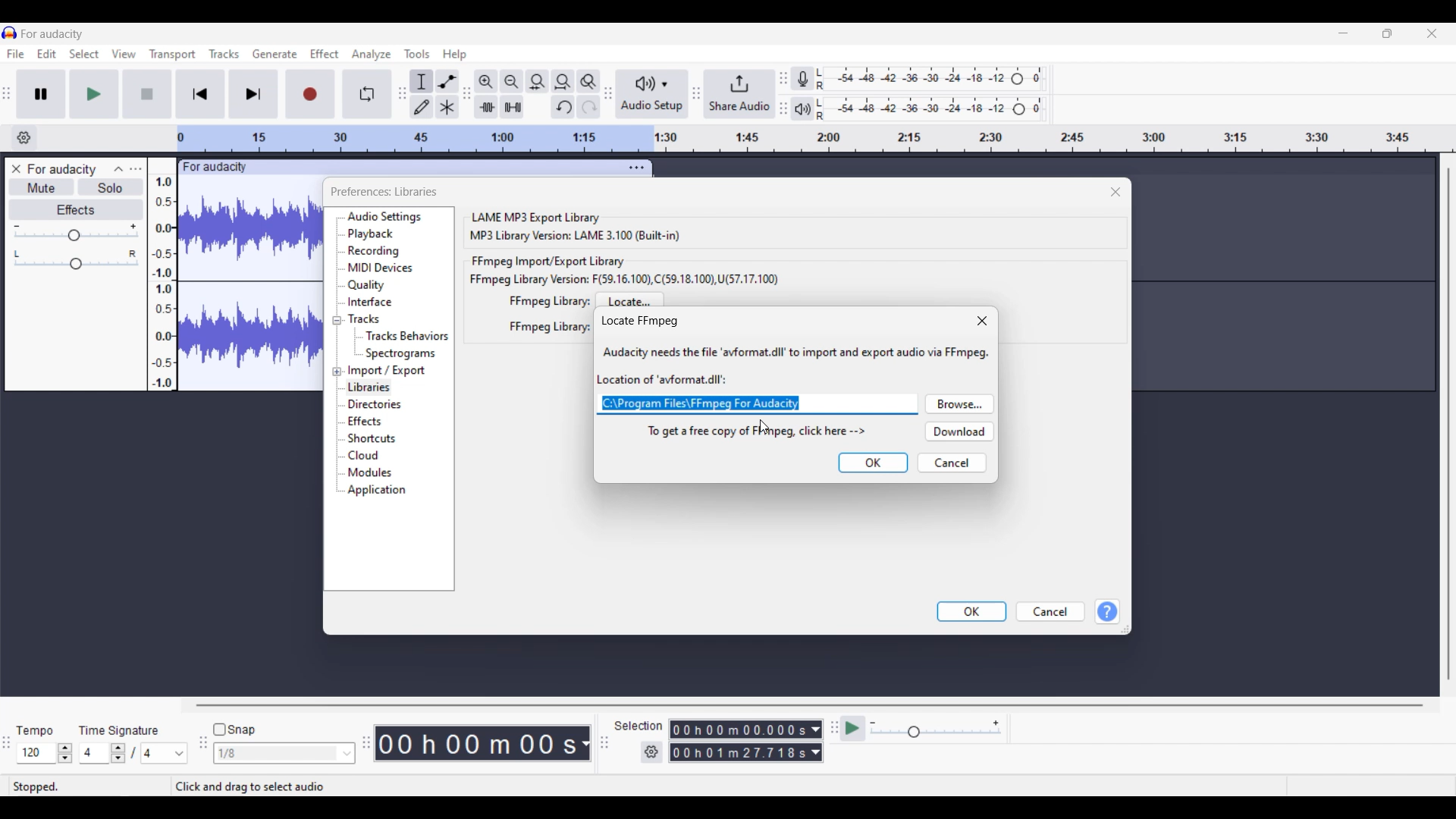 This screenshot has width=1456, height=819. I want to click on stopped, so click(36, 786).